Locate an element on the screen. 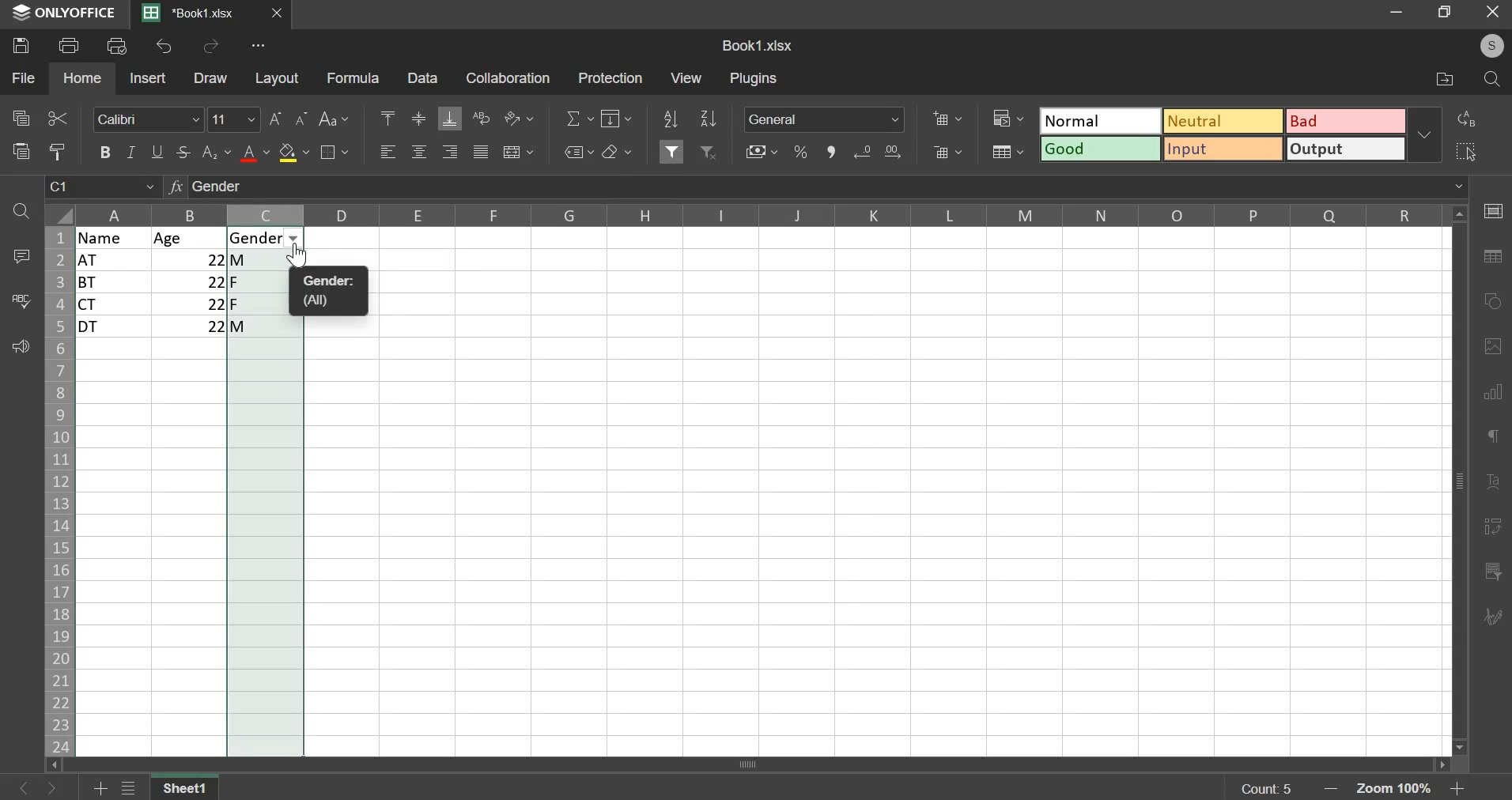 The height and width of the screenshot is (800, 1512). remove filter is located at coordinates (710, 152).